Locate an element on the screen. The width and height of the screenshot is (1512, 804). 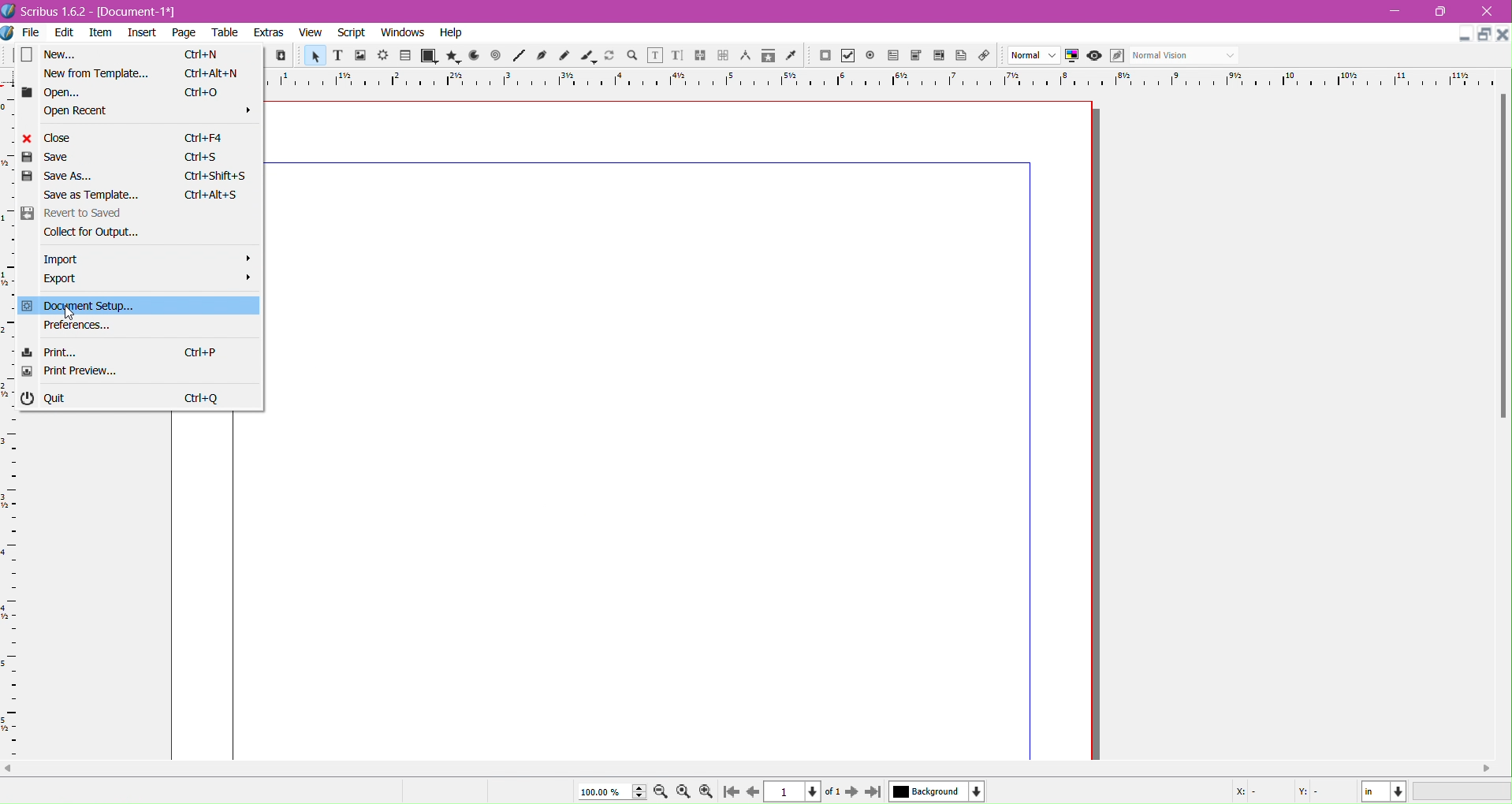
link text frames is located at coordinates (700, 56).